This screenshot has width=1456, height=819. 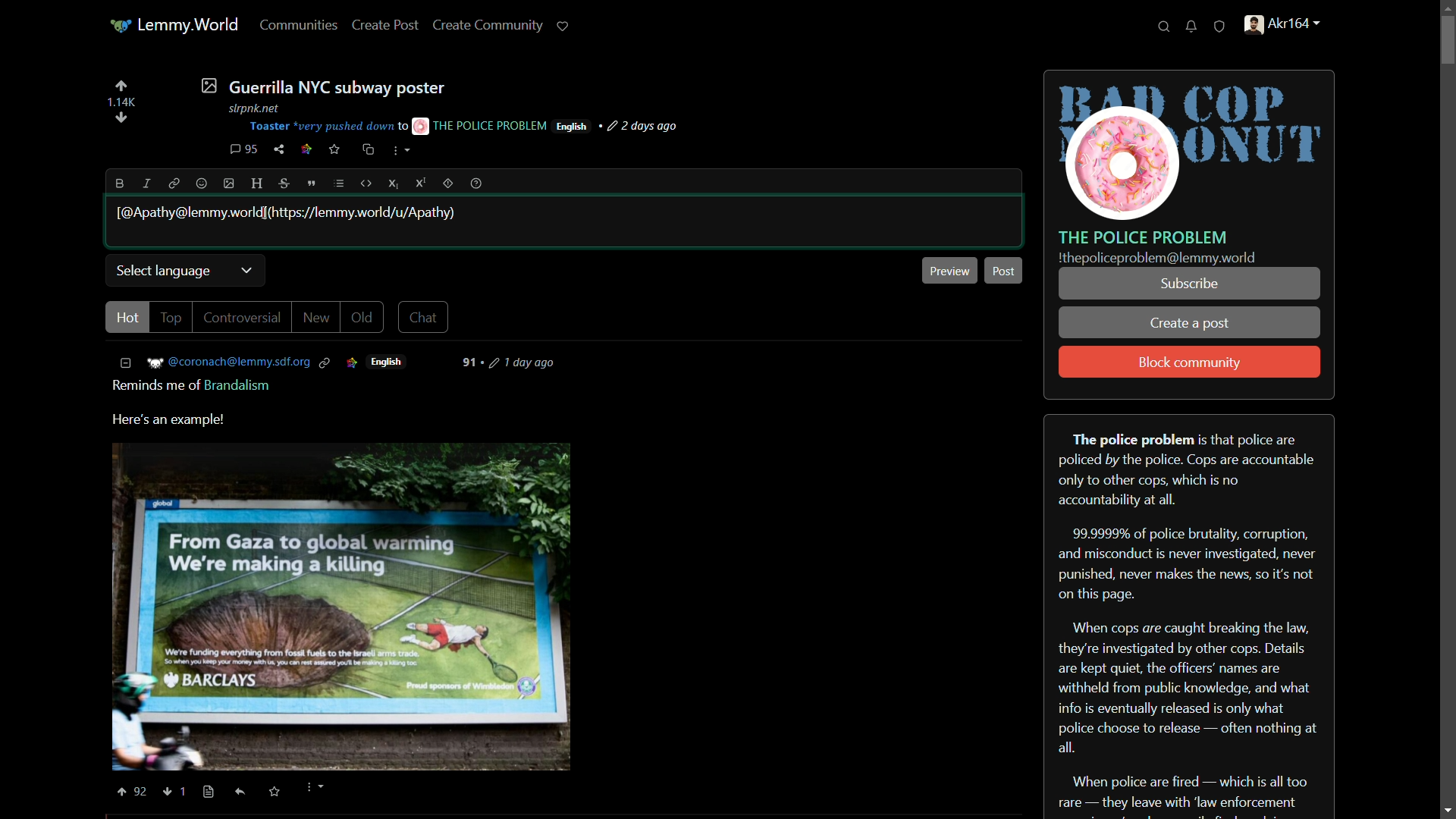 What do you see at coordinates (426, 316) in the screenshot?
I see `chat` at bounding box center [426, 316].